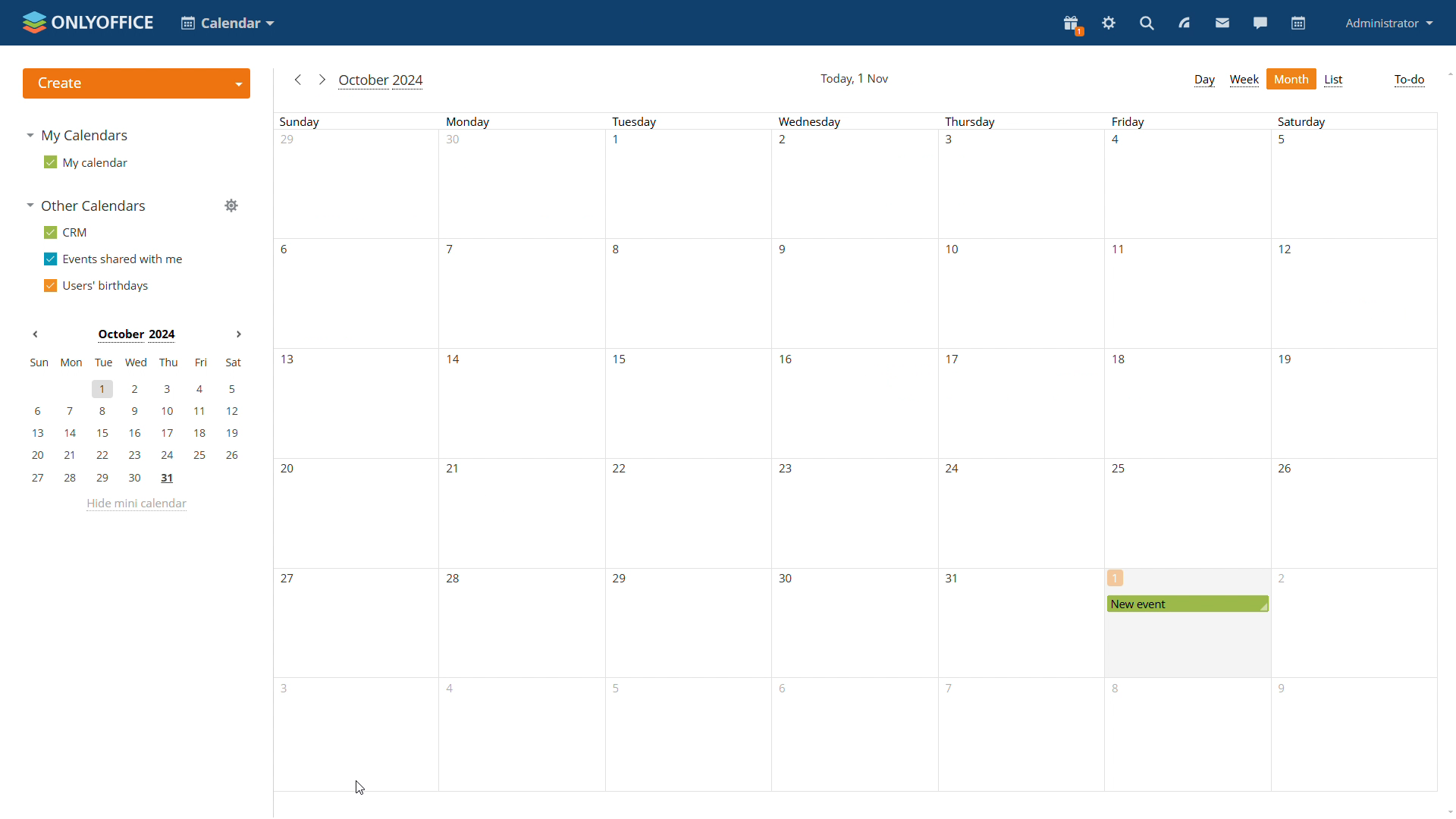 Image resolution: width=1456 pixels, height=819 pixels. I want to click on Friday, so click(1188, 452).